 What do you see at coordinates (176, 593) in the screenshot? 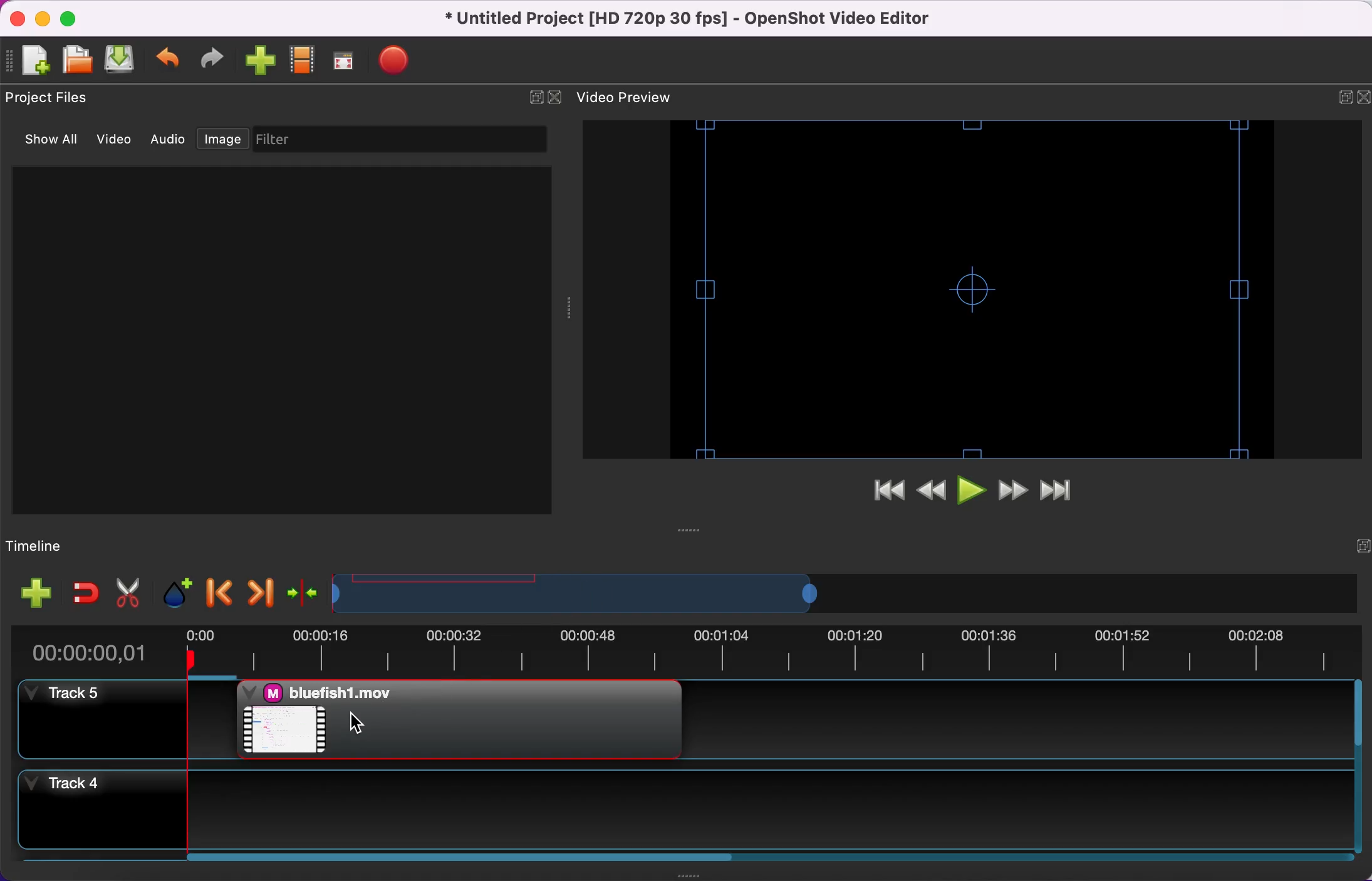
I see `add marker` at bounding box center [176, 593].